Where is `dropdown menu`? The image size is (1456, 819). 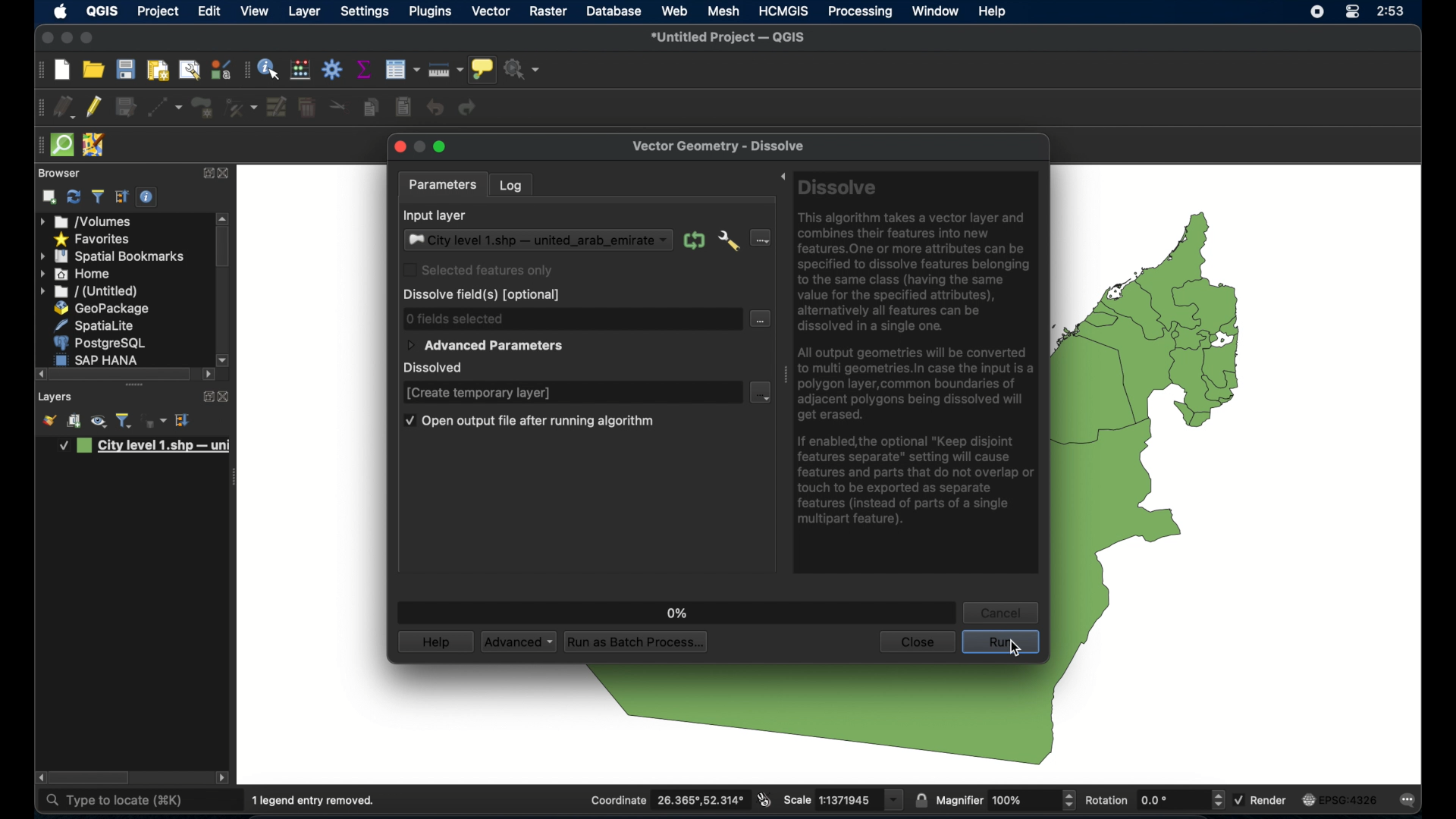 dropdown menu is located at coordinates (759, 391).